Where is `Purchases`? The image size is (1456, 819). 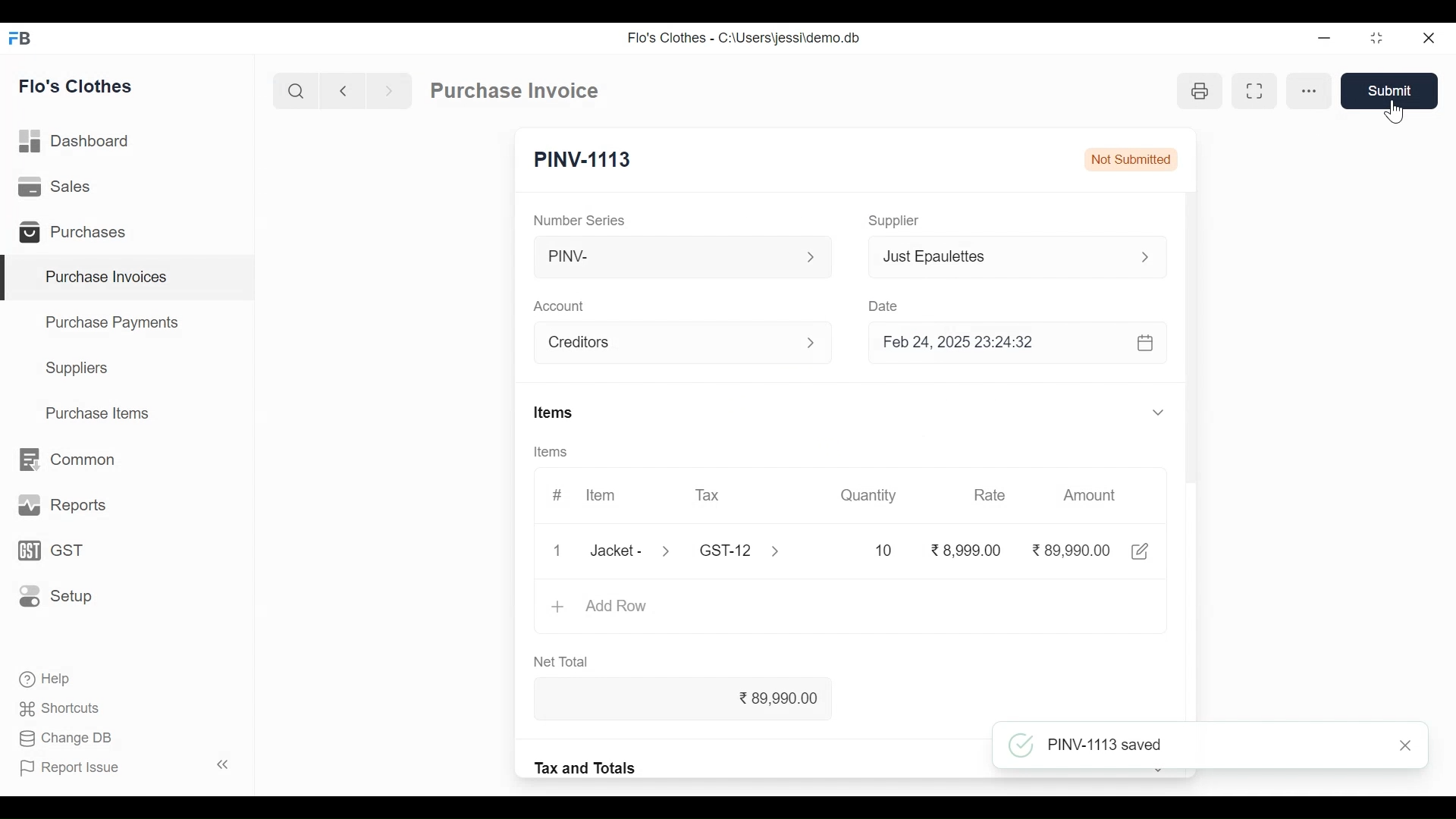 Purchases is located at coordinates (77, 233).